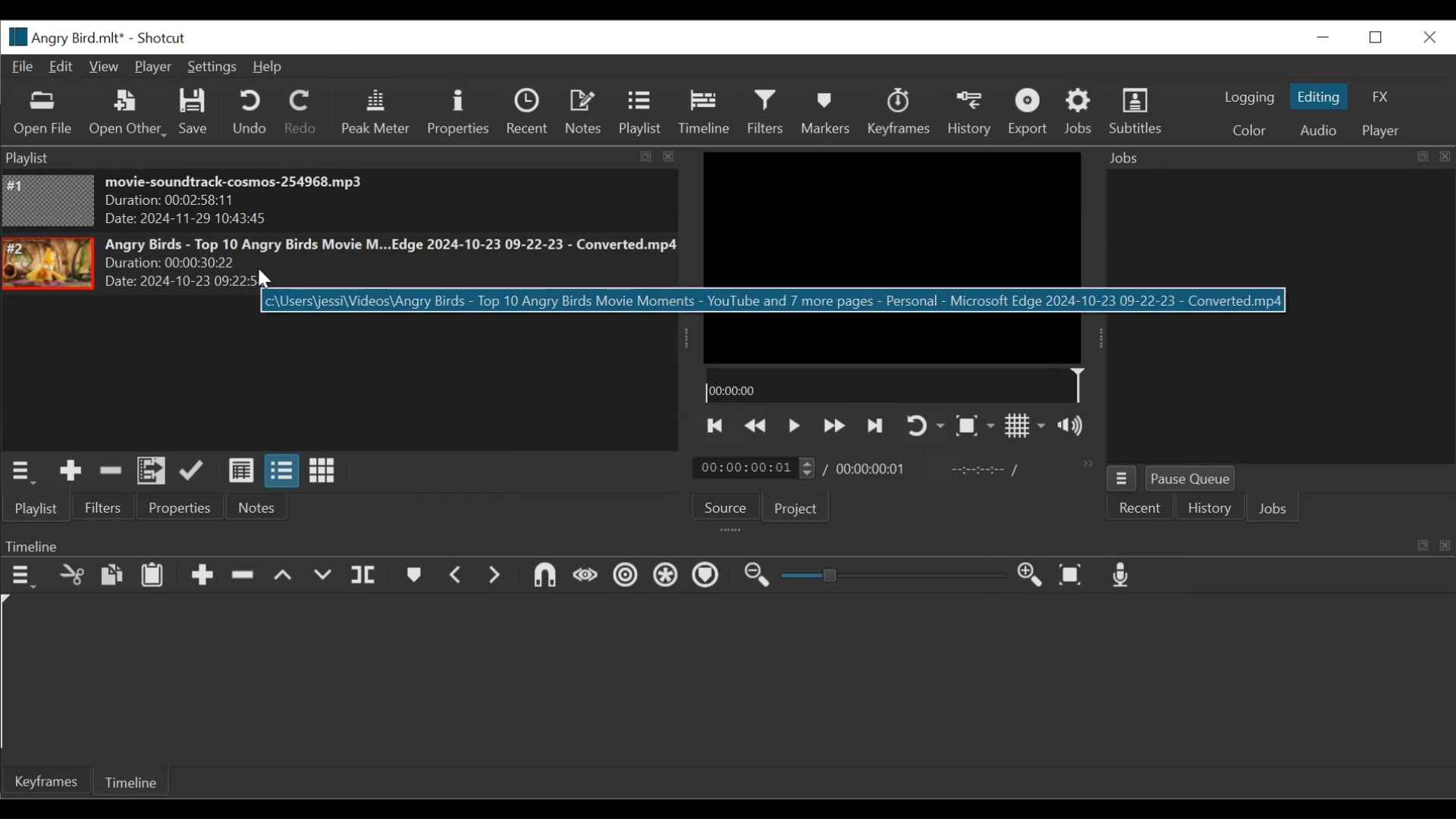  What do you see at coordinates (875, 256) in the screenshot?
I see `Media Viewer` at bounding box center [875, 256].